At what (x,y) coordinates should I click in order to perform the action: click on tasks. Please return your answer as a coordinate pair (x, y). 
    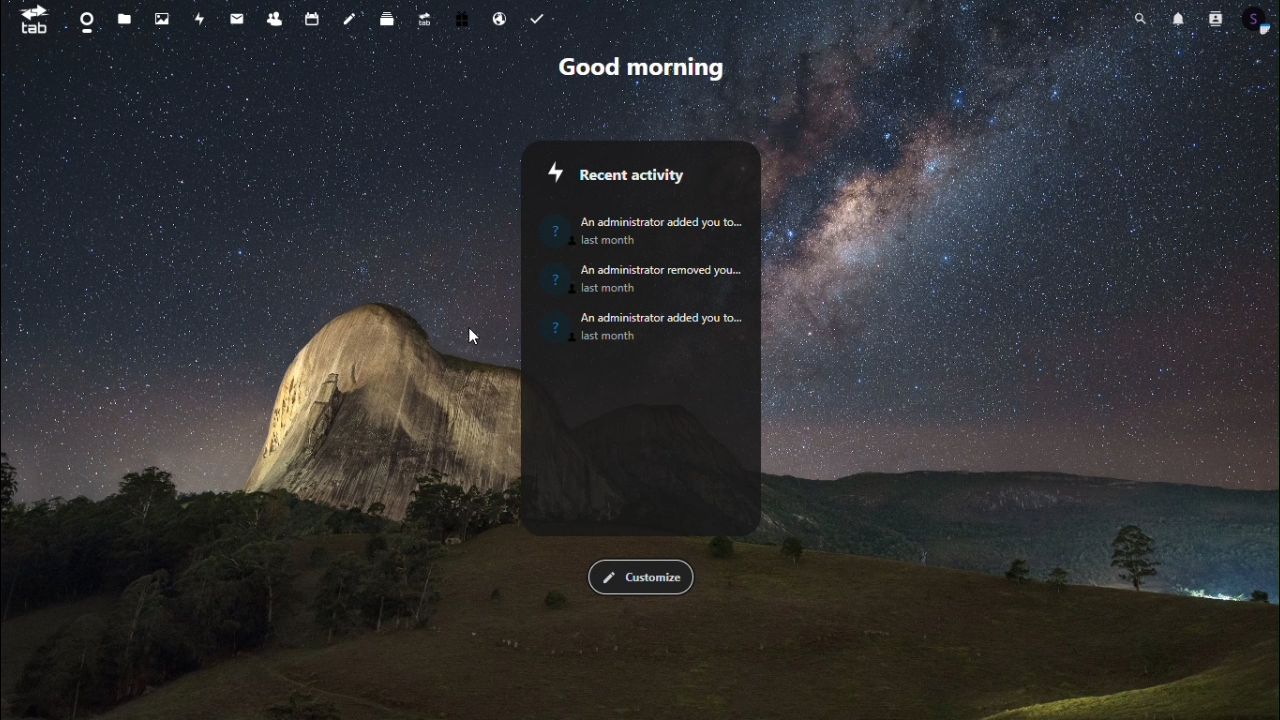
    Looking at the image, I should click on (545, 17).